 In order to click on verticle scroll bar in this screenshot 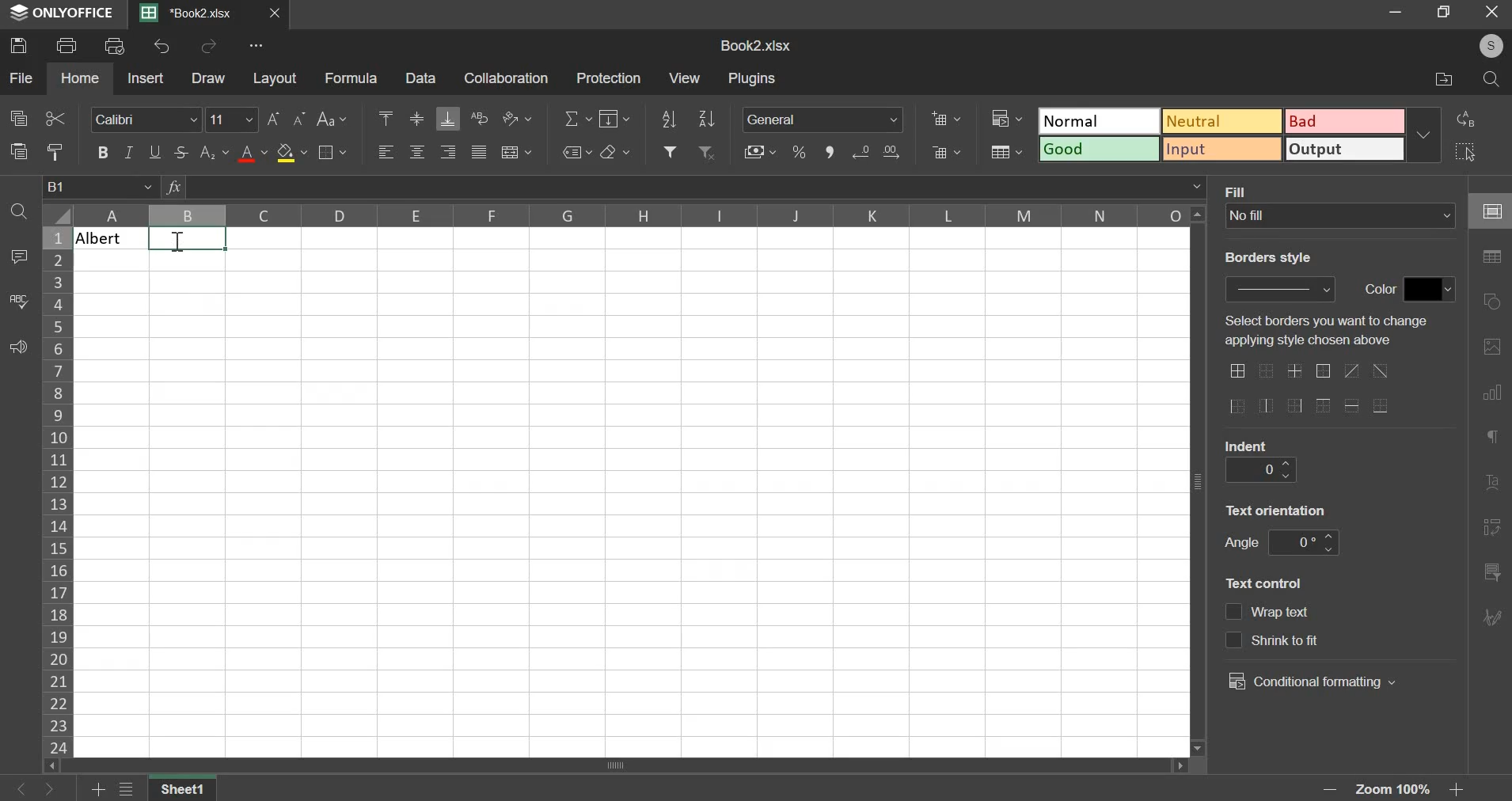, I will do `click(1202, 480)`.